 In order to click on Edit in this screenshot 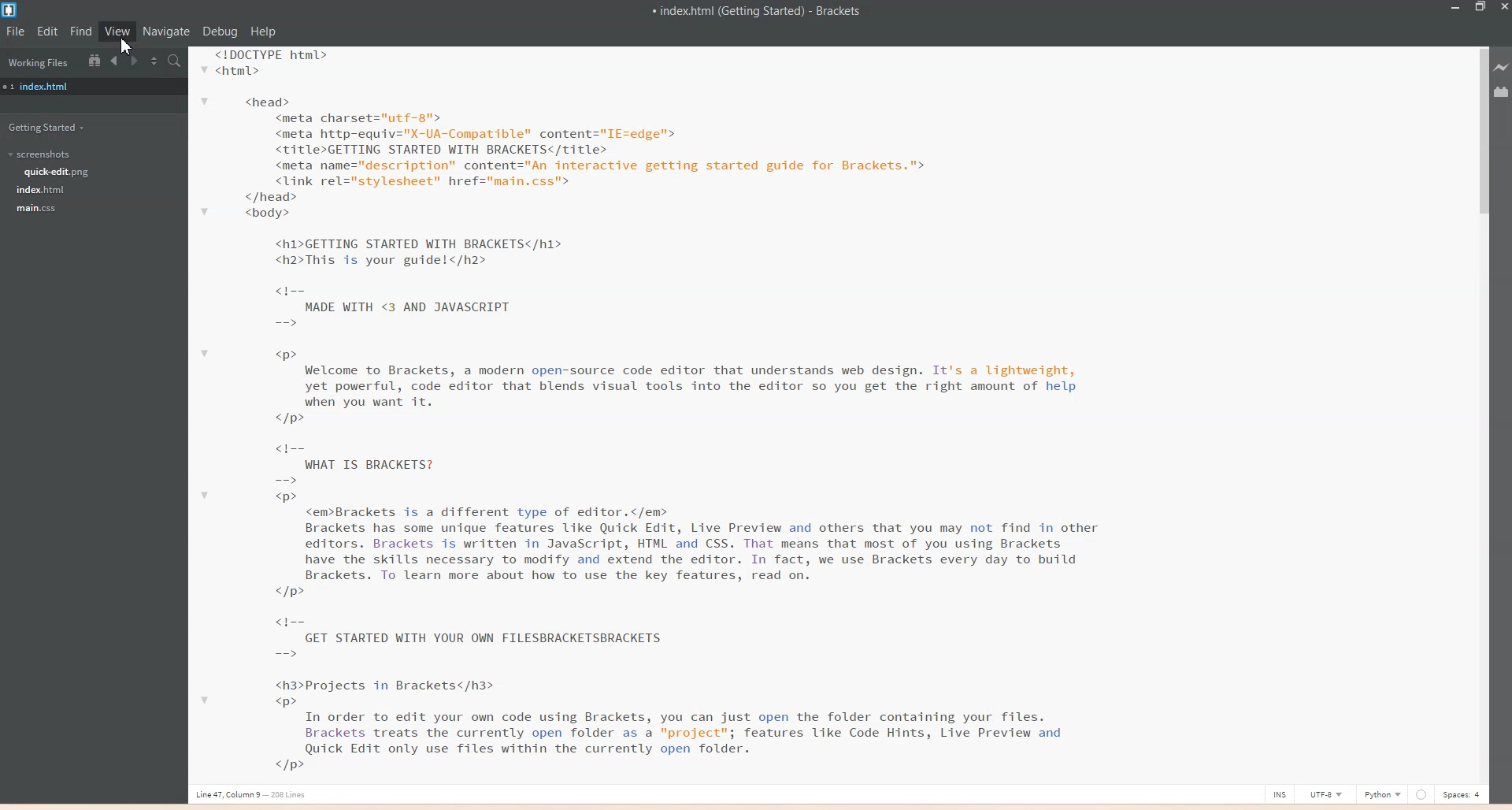, I will do `click(47, 32)`.